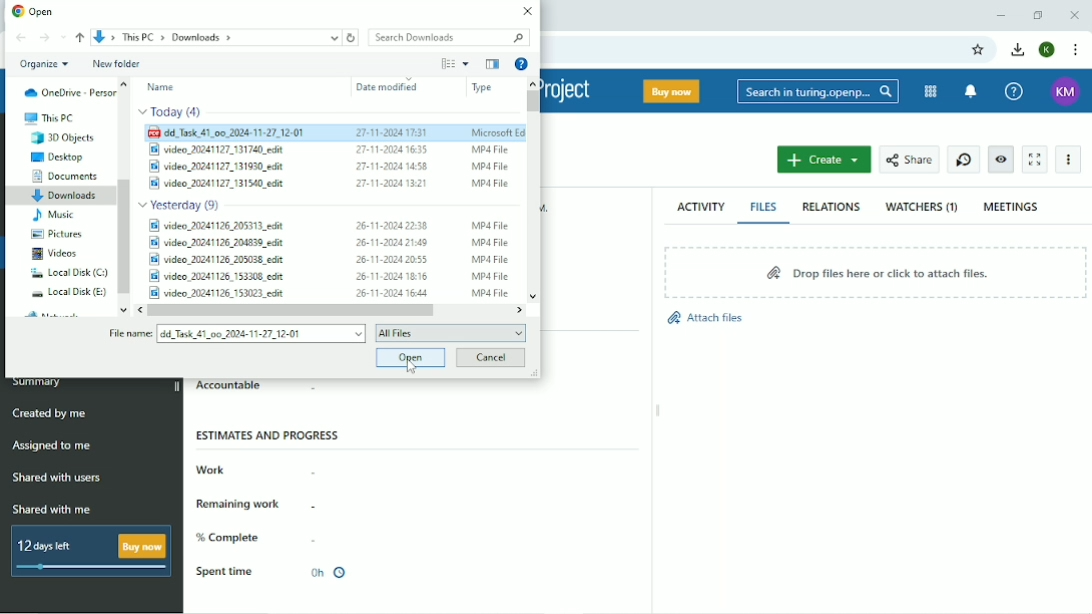 Image resolution: width=1092 pixels, height=614 pixels. What do you see at coordinates (270, 435) in the screenshot?
I see `Estimates and progress` at bounding box center [270, 435].